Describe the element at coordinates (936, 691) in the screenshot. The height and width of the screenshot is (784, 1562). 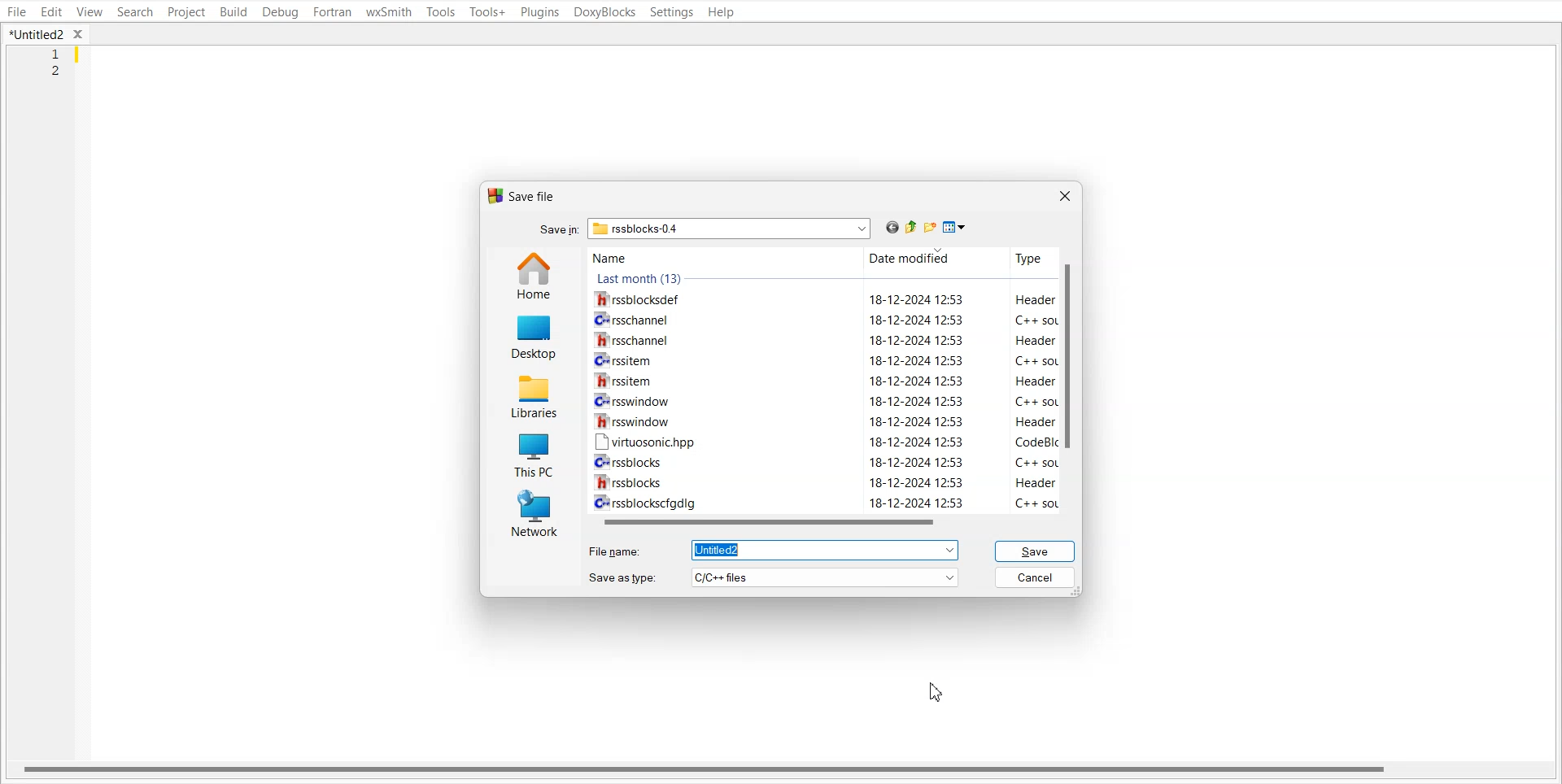
I see `Cursor` at that location.